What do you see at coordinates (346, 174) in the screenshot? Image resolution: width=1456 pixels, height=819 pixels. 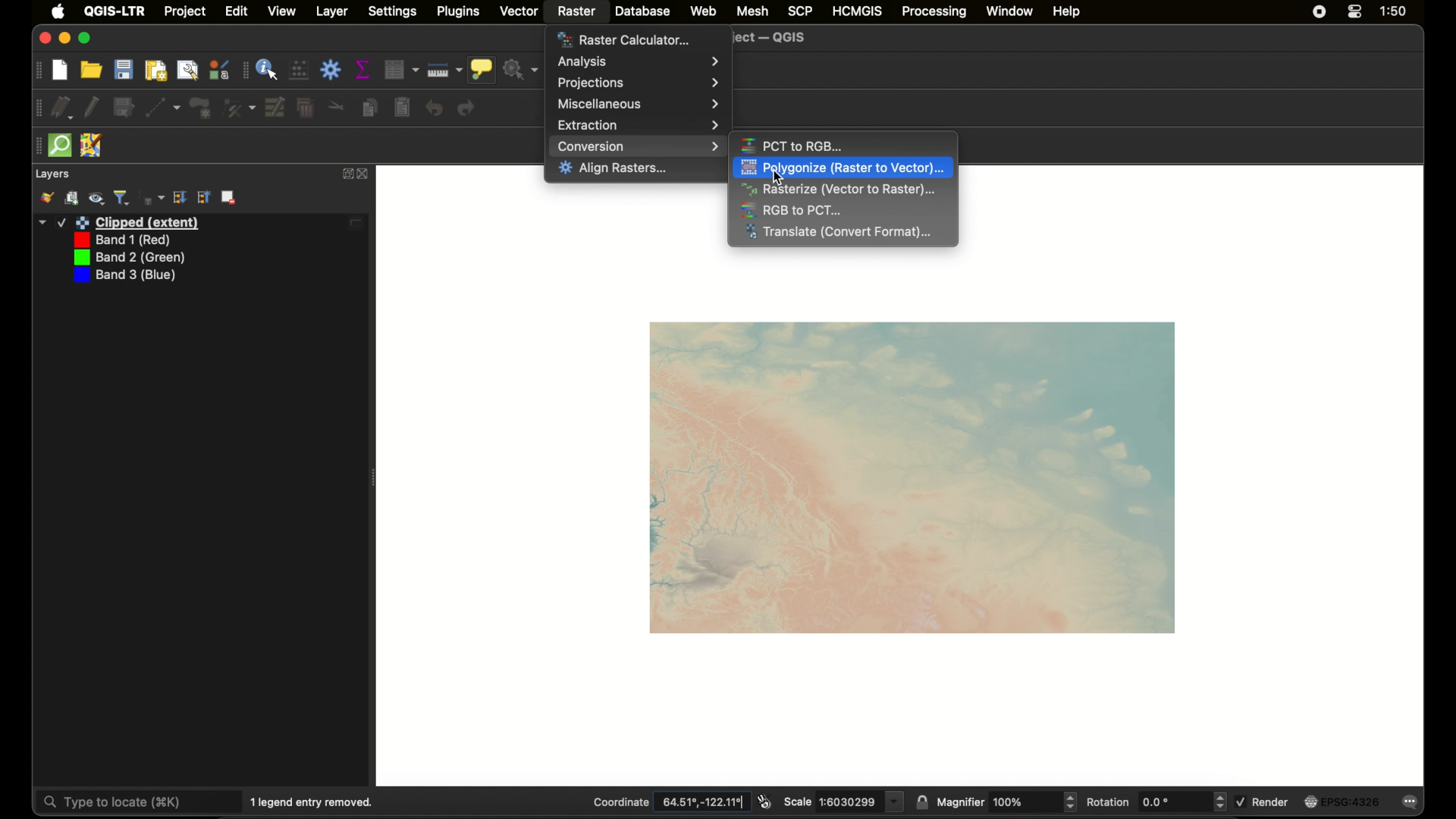 I see `expand` at bounding box center [346, 174].